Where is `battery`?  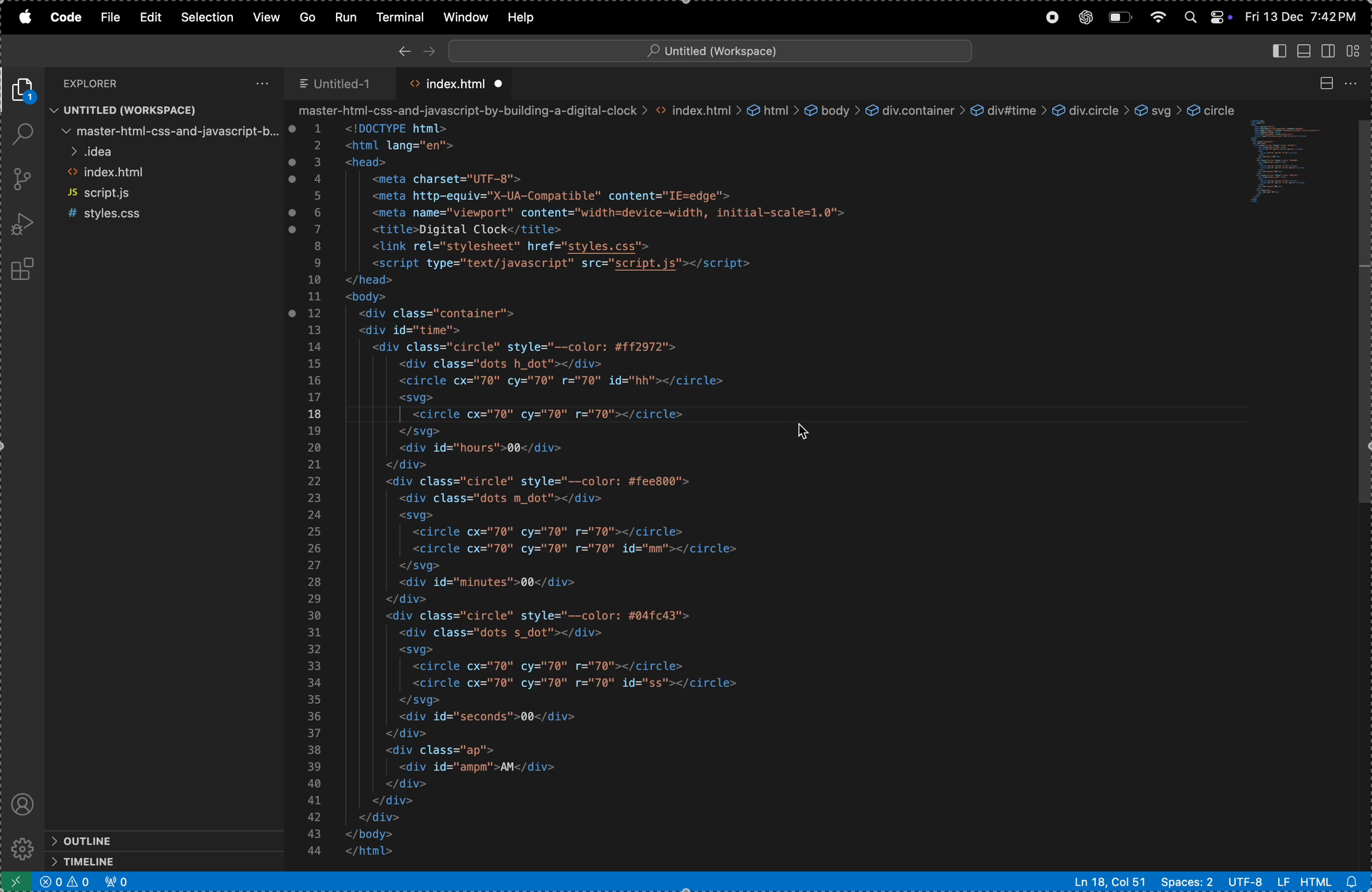
battery is located at coordinates (1122, 17).